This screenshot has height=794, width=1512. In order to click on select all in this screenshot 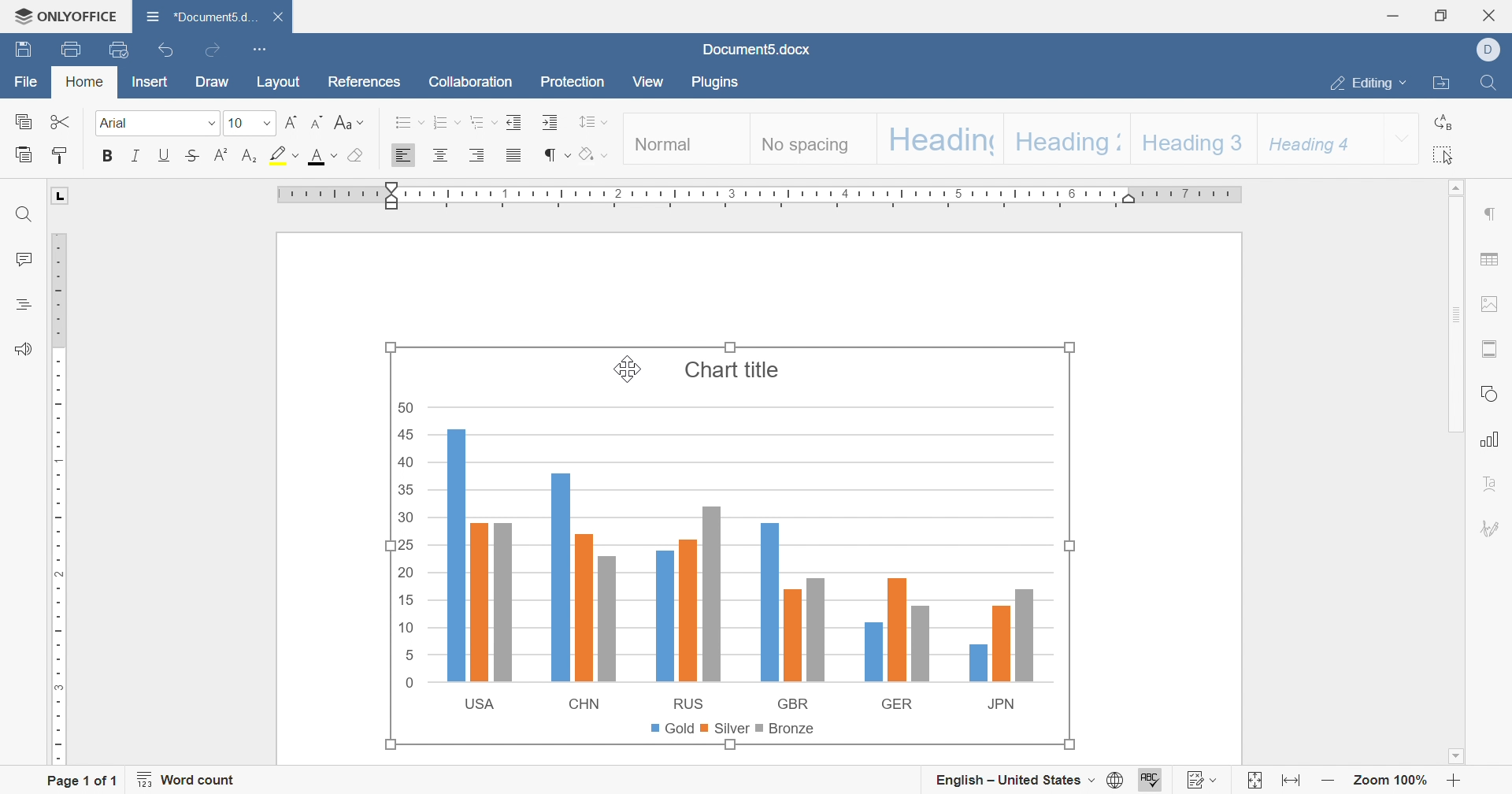, I will do `click(1446, 155)`.